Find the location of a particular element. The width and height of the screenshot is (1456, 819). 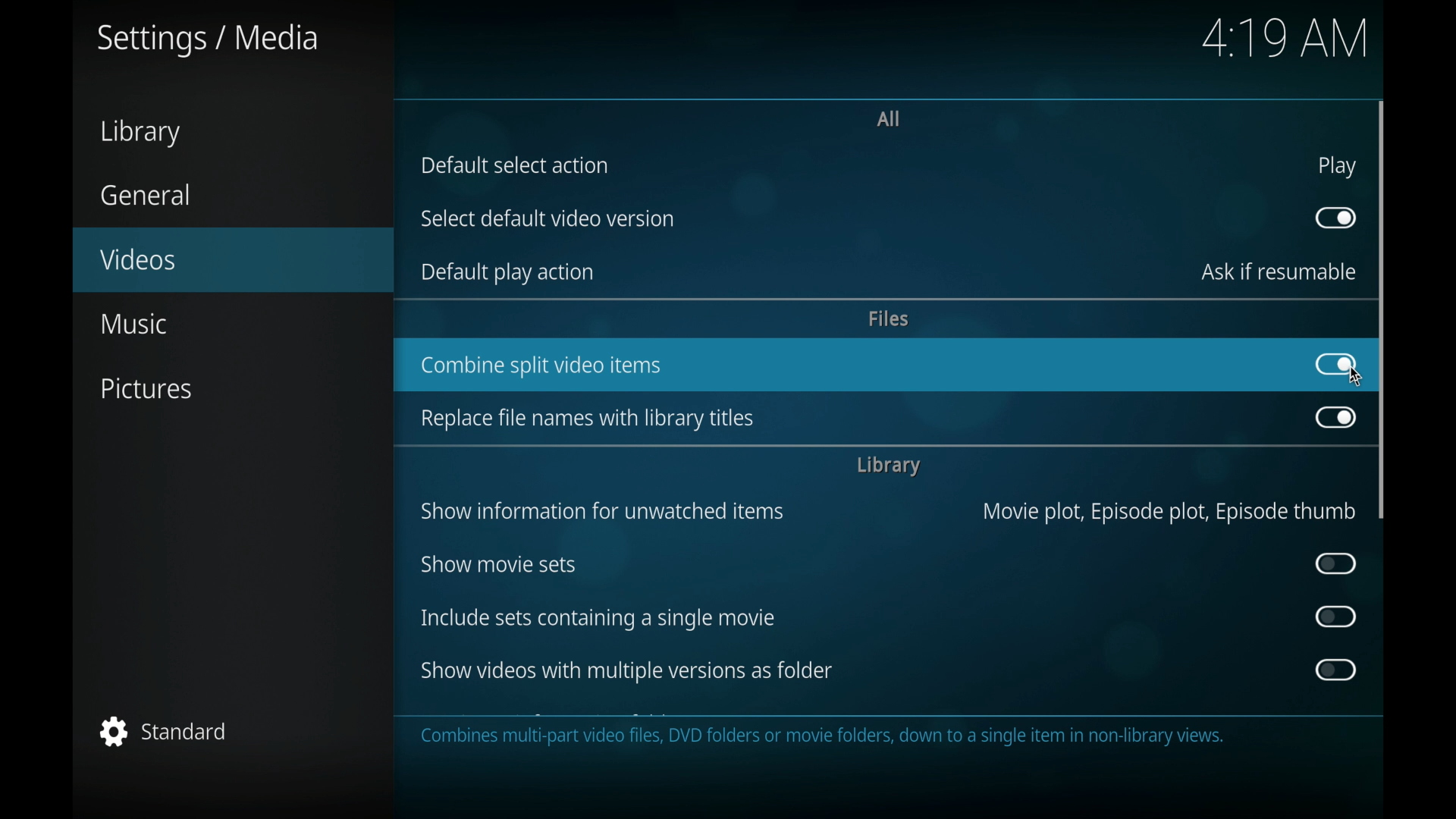

standard is located at coordinates (165, 730).